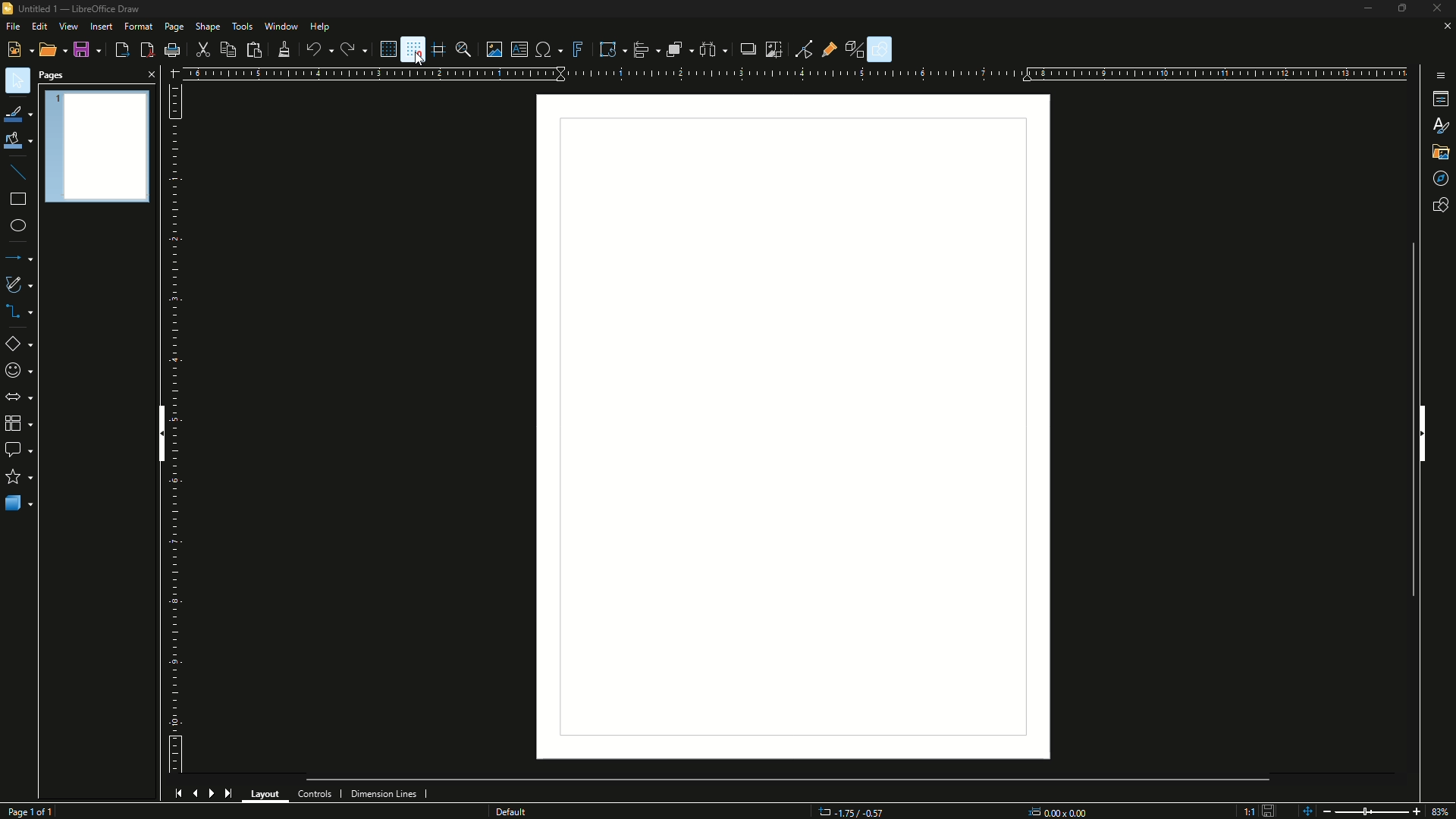  Describe the element at coordinates (797, 49) in the screenshot. I see `Toggle Point edit mode` at that location.